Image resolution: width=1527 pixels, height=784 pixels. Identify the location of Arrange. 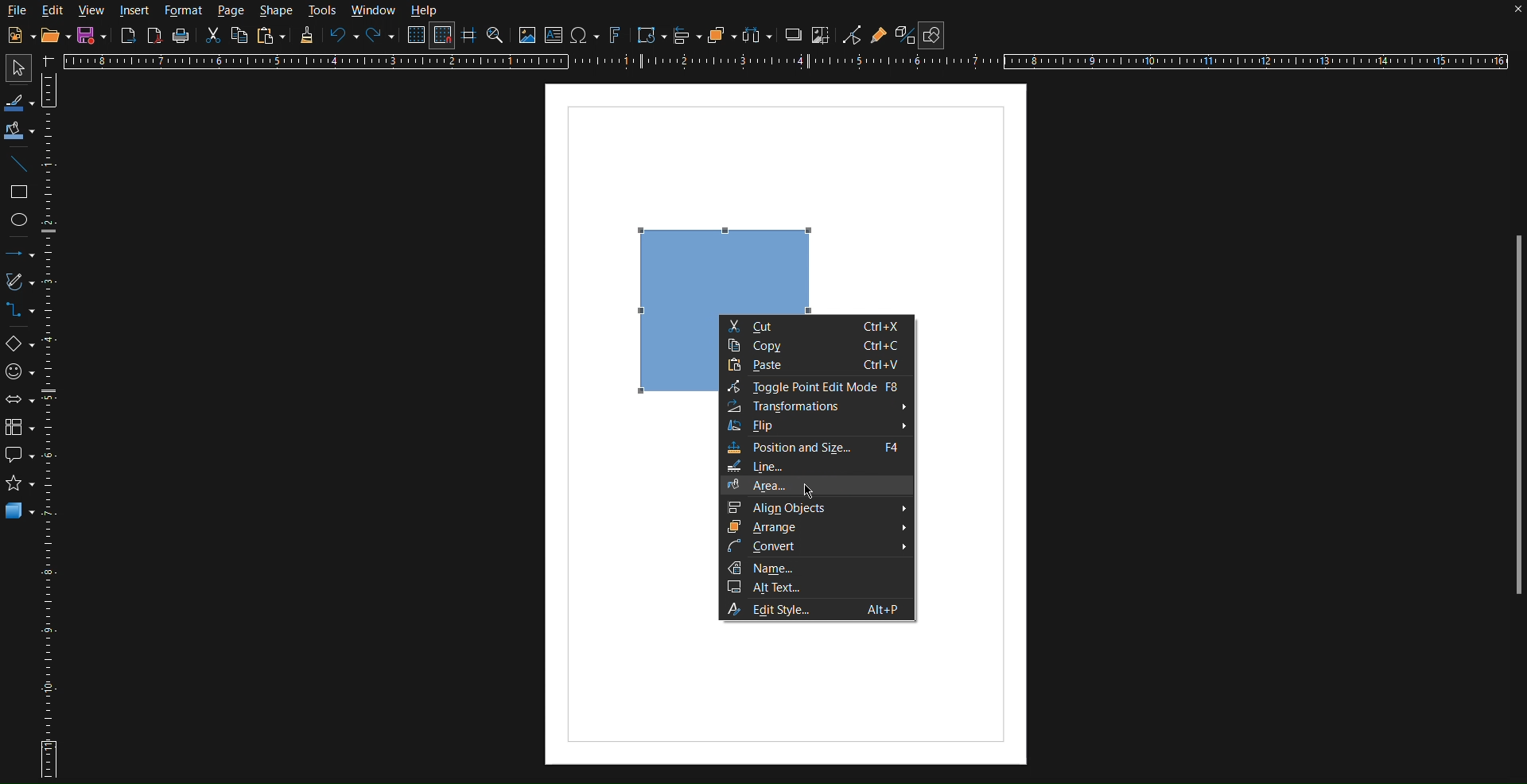
(719, 36).